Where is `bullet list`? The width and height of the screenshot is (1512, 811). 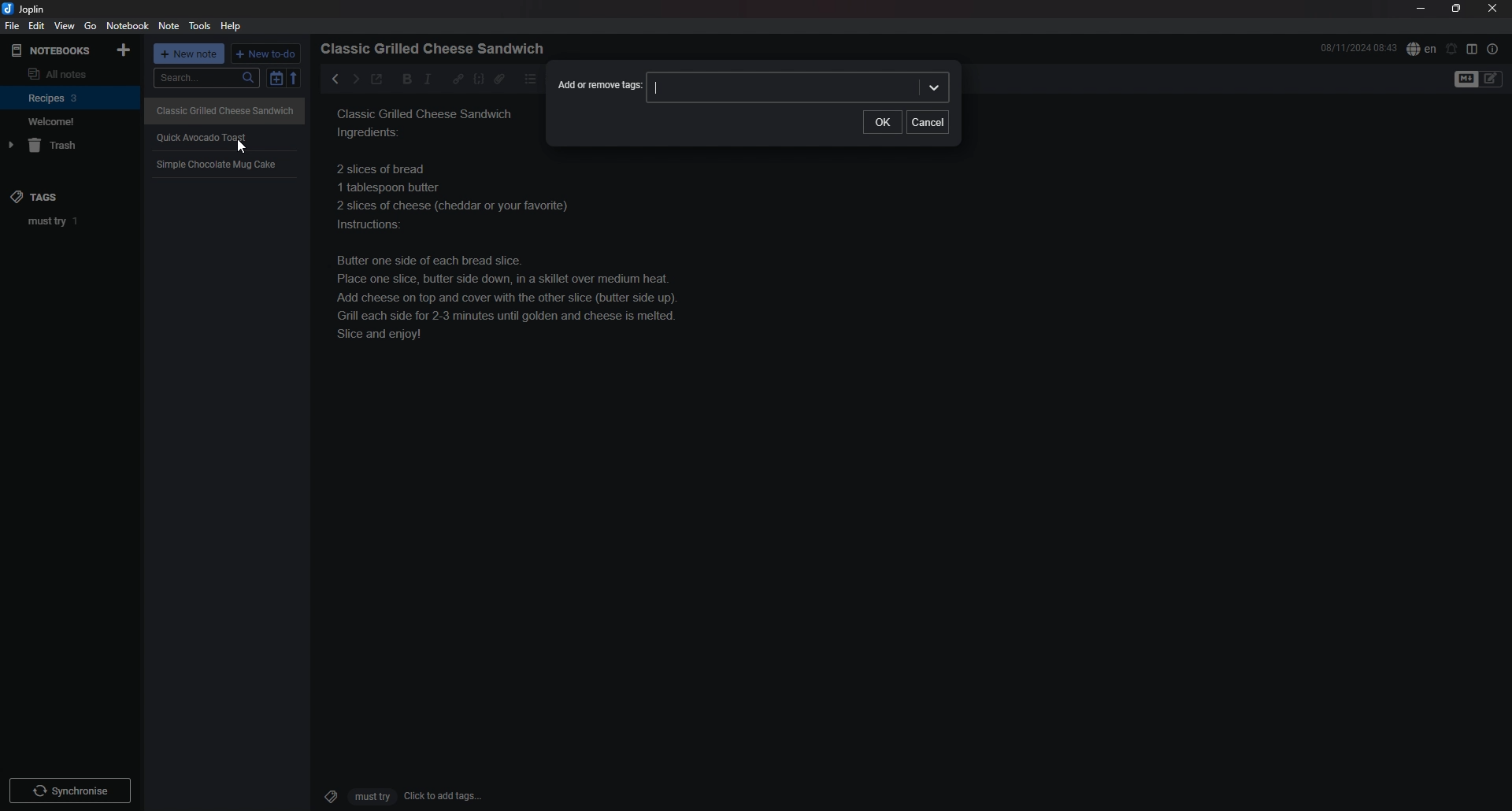 bullet list is located at coordinates (531, 79).